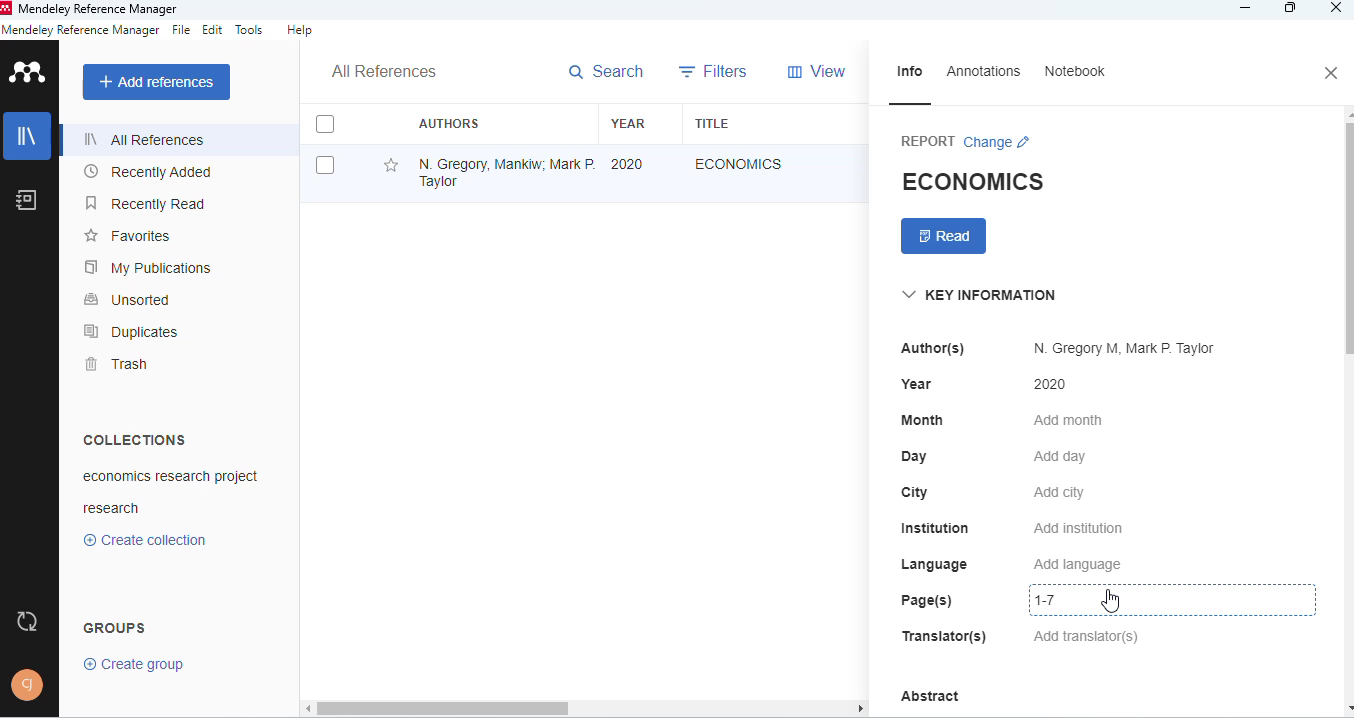  Describe the element at coordinates (158, 82) in the screenshot. I see `add references` at that location.